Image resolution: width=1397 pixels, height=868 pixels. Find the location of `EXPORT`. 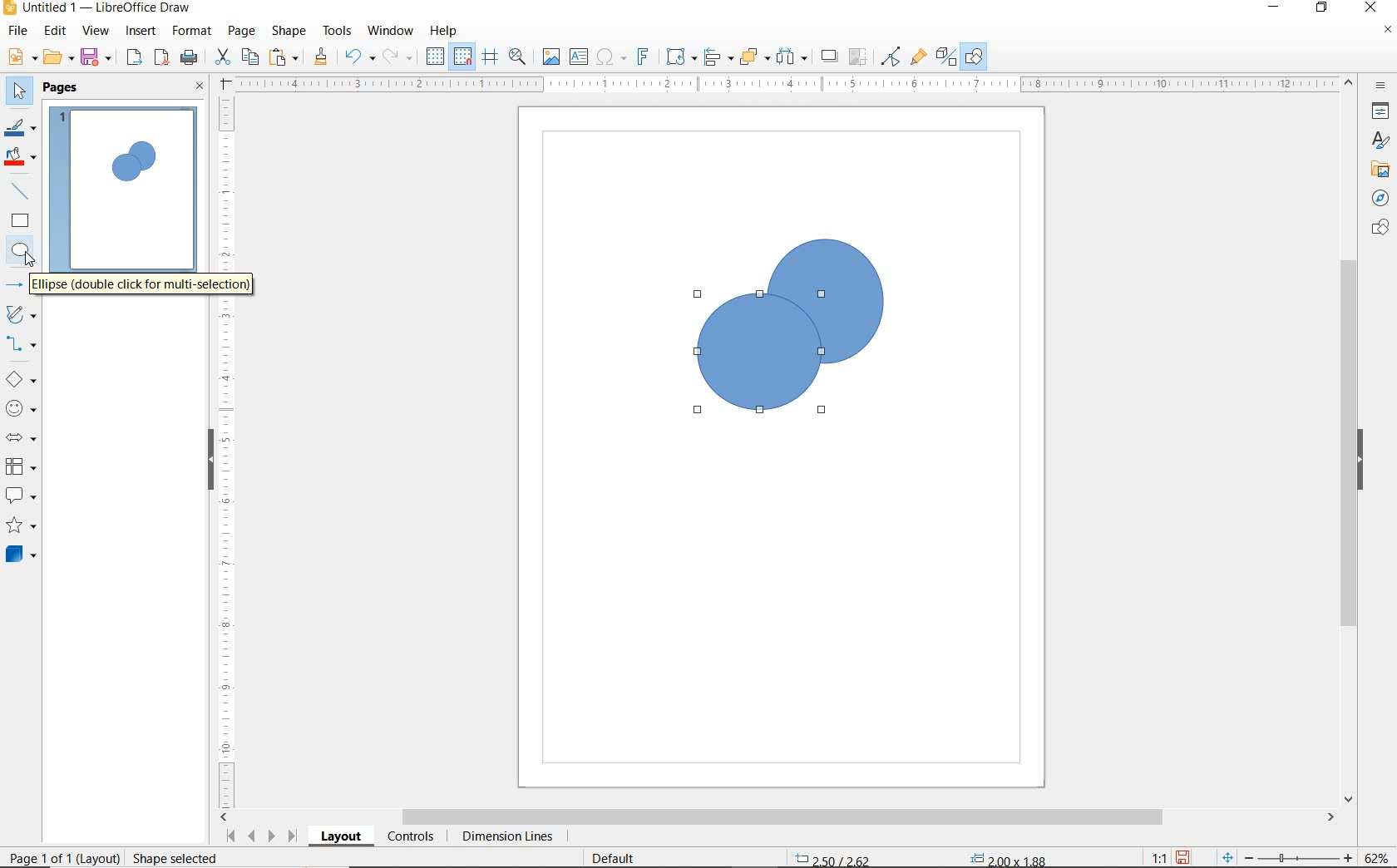

EXPORT is located at coordinates (135, 58).